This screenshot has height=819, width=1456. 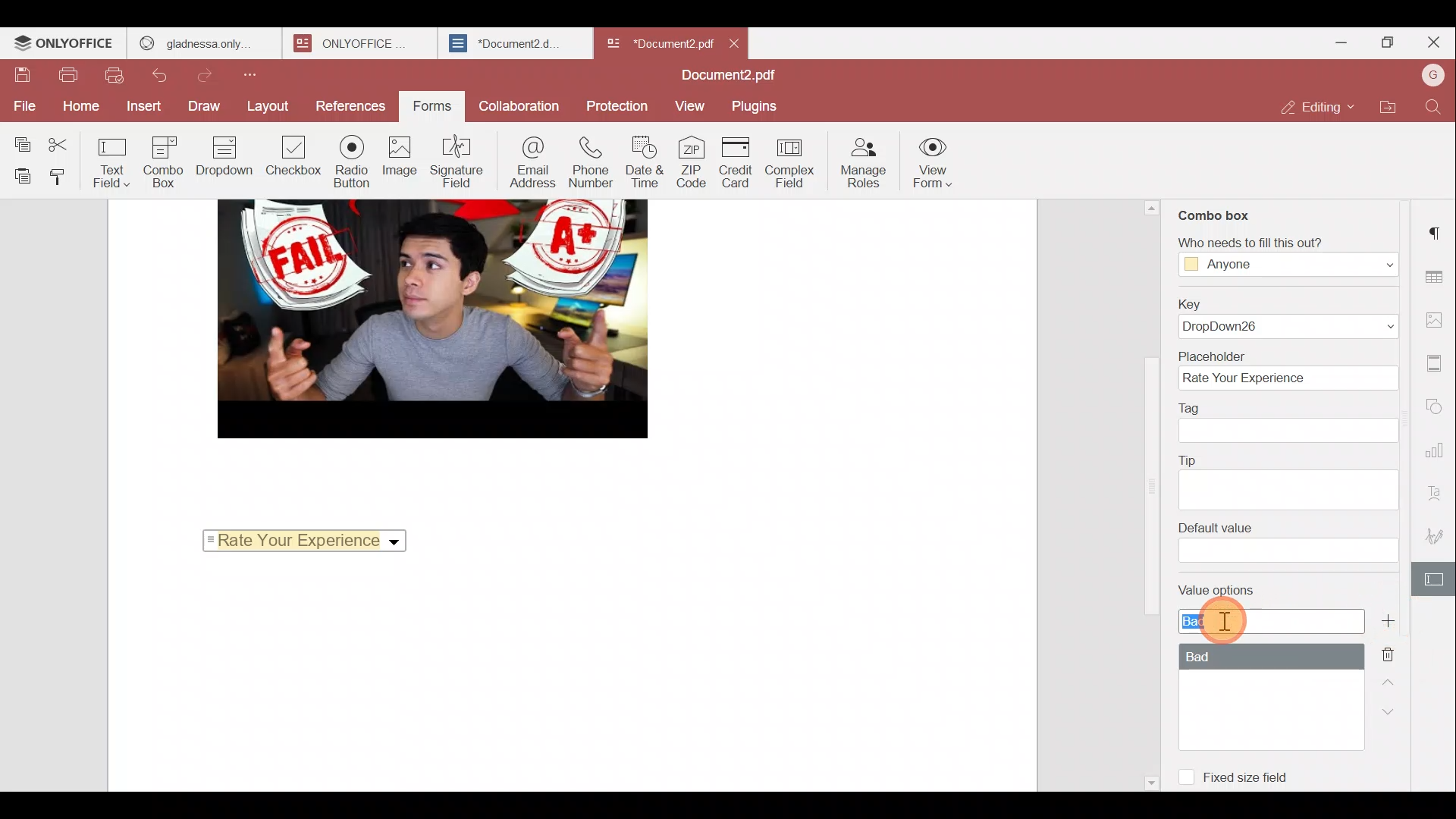 What do you see at coordinates (1433, 42) in the screenshot?
I see `Close` at bounding box center [1433, 42].